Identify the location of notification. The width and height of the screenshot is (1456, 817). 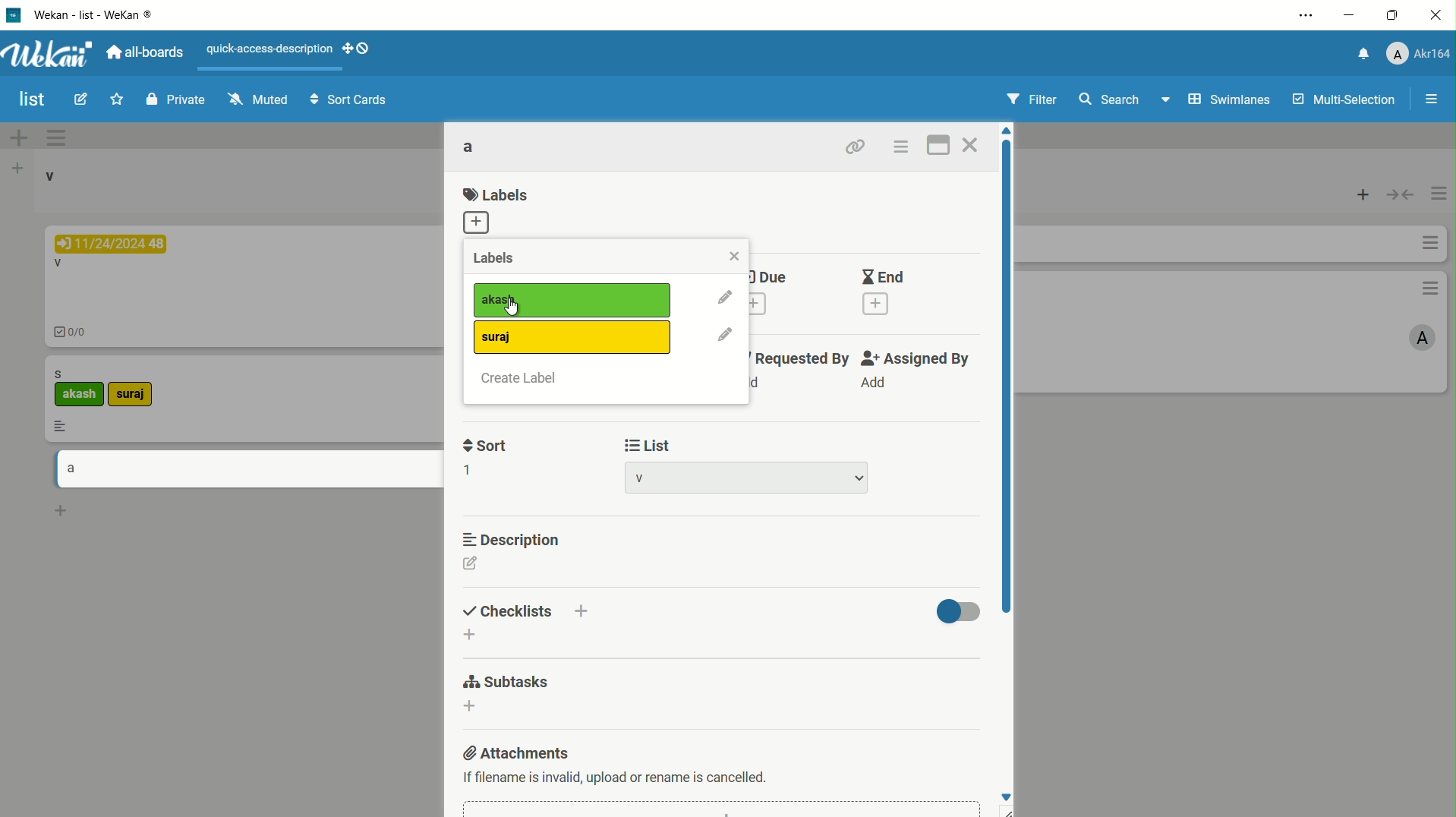
(1361, 54).